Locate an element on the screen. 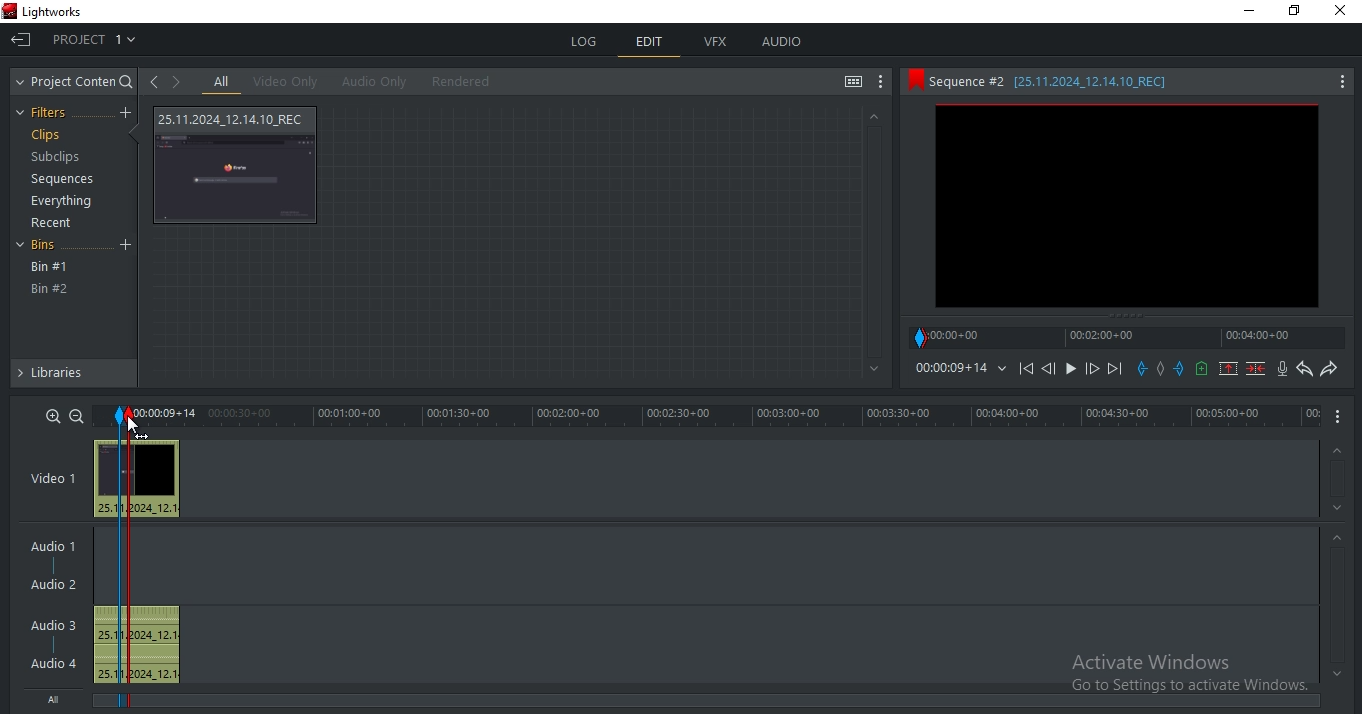 The height and width of the screenshot is (714, 1362). Previous is located at coordinates (1048, 368).